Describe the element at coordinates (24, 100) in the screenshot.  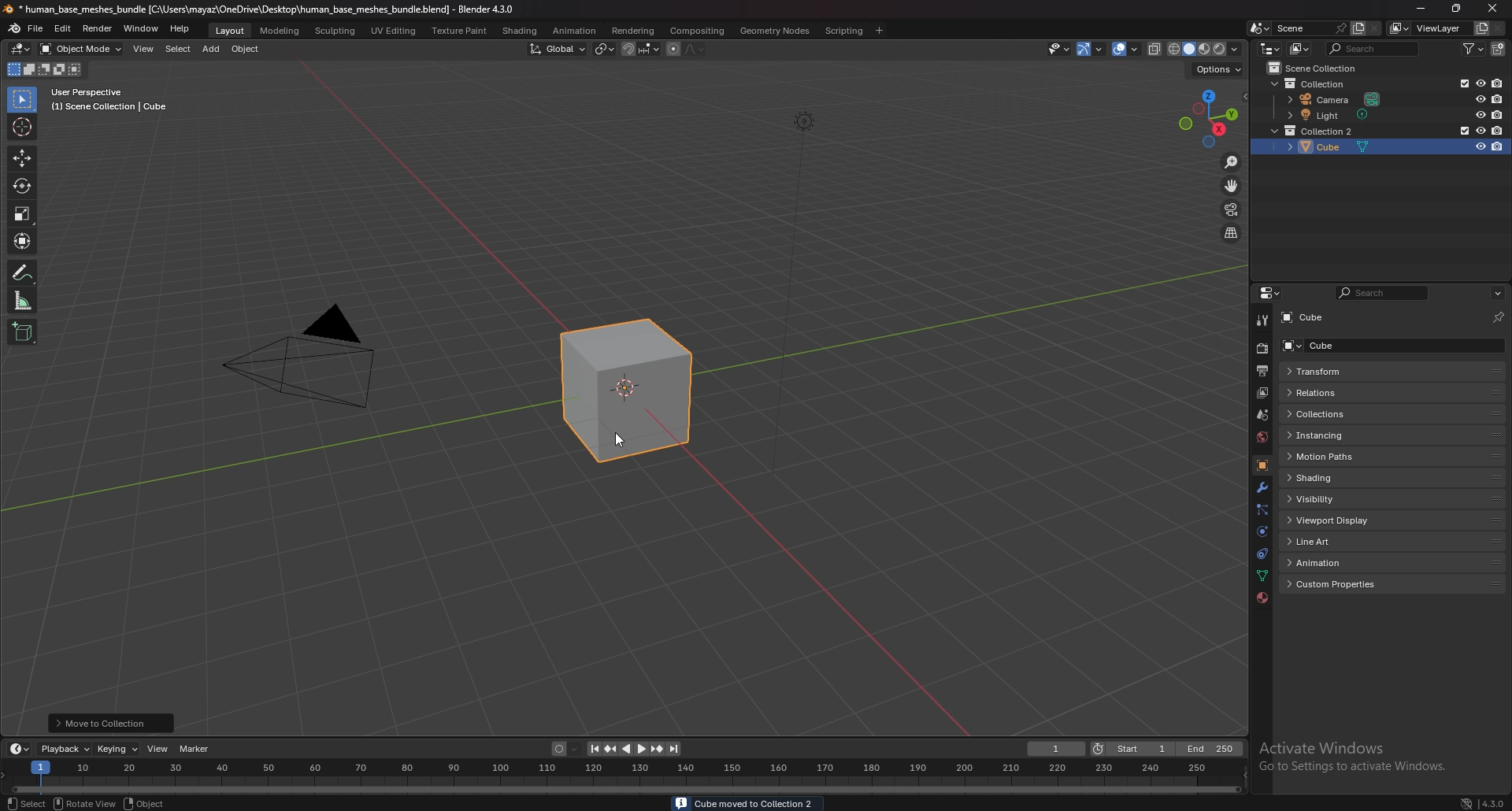
I see `select` at that location.